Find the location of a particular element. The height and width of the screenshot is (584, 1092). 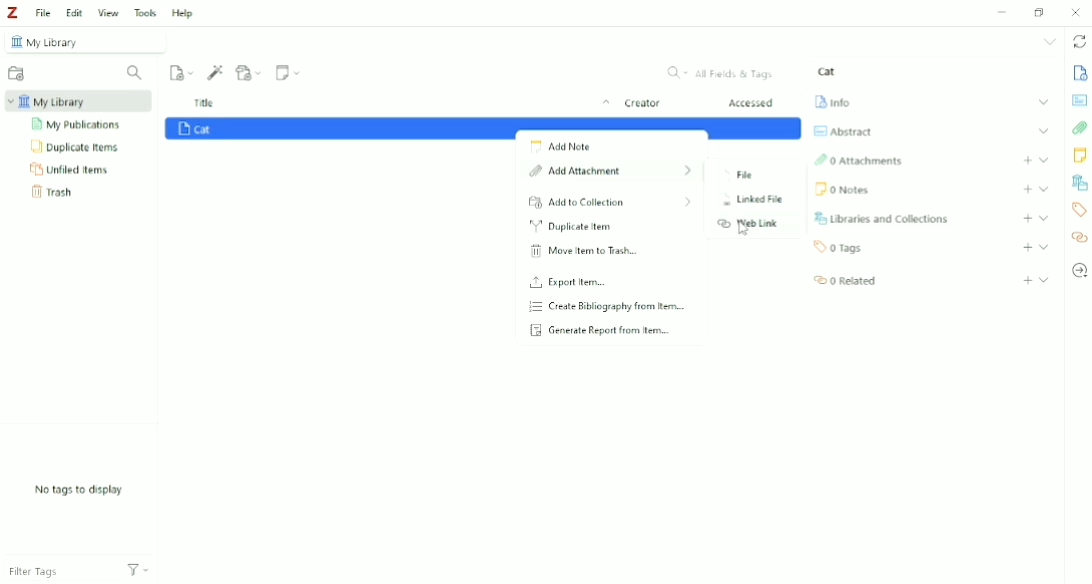

Add is located at coordinates (1028, 281).